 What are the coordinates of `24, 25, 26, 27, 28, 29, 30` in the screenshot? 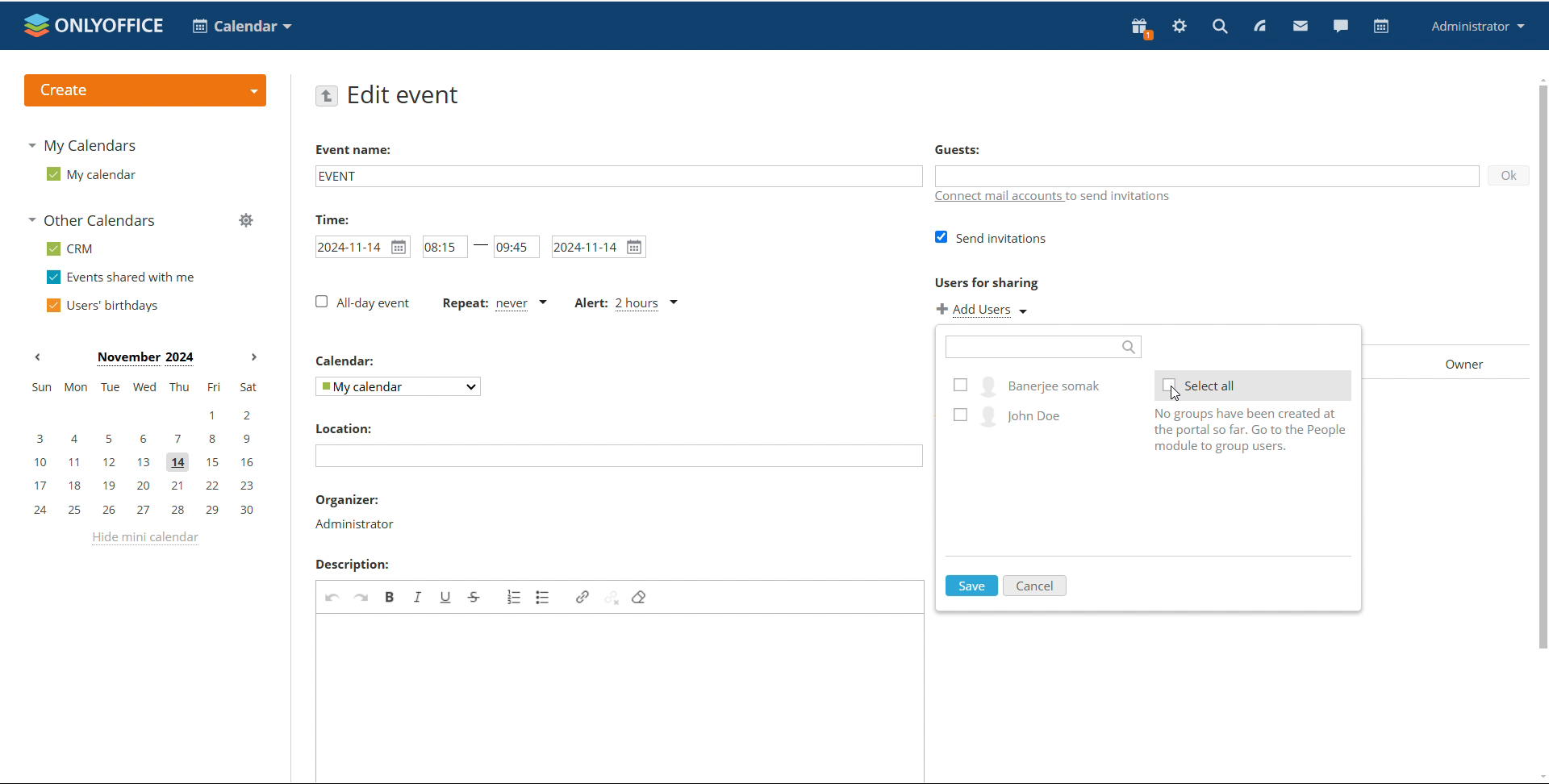 It's located at (143, 509).